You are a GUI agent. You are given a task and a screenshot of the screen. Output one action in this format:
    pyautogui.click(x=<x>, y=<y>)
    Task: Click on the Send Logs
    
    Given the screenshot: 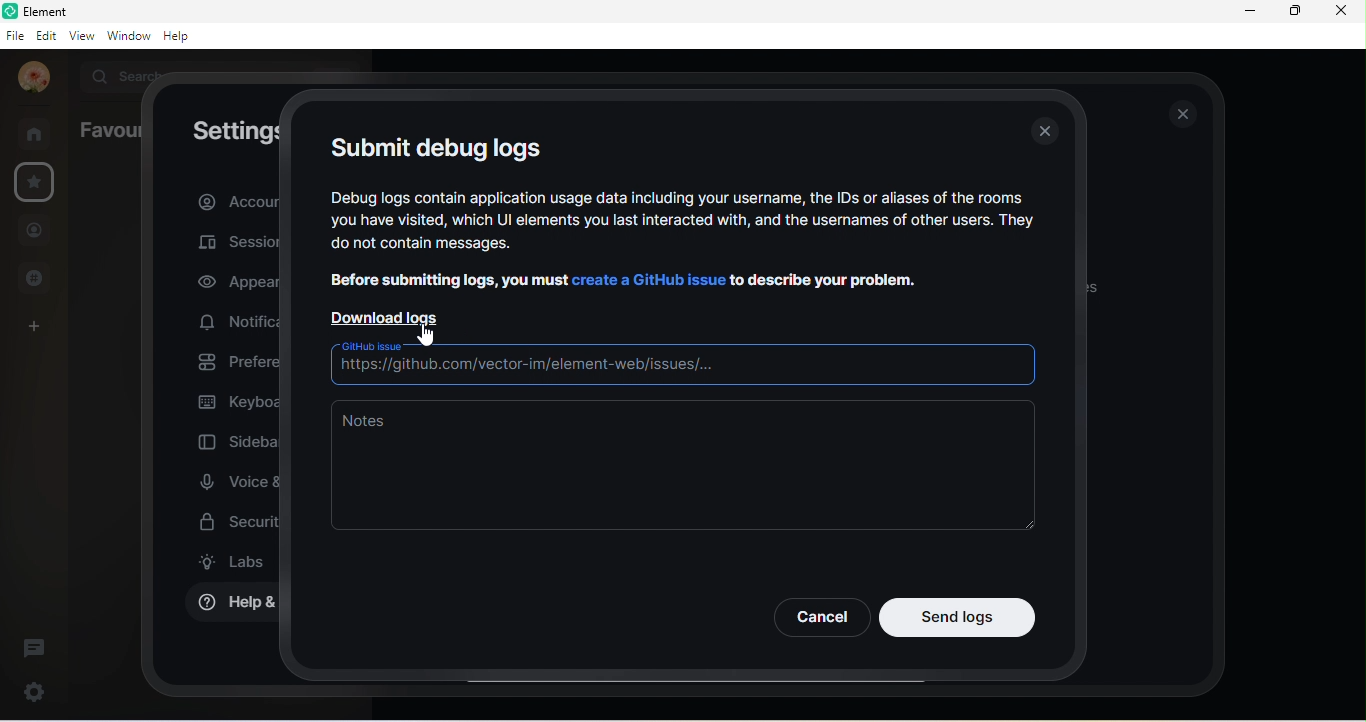 What is the action you would take?
    pyautogui.click(x=958, y=617)
    